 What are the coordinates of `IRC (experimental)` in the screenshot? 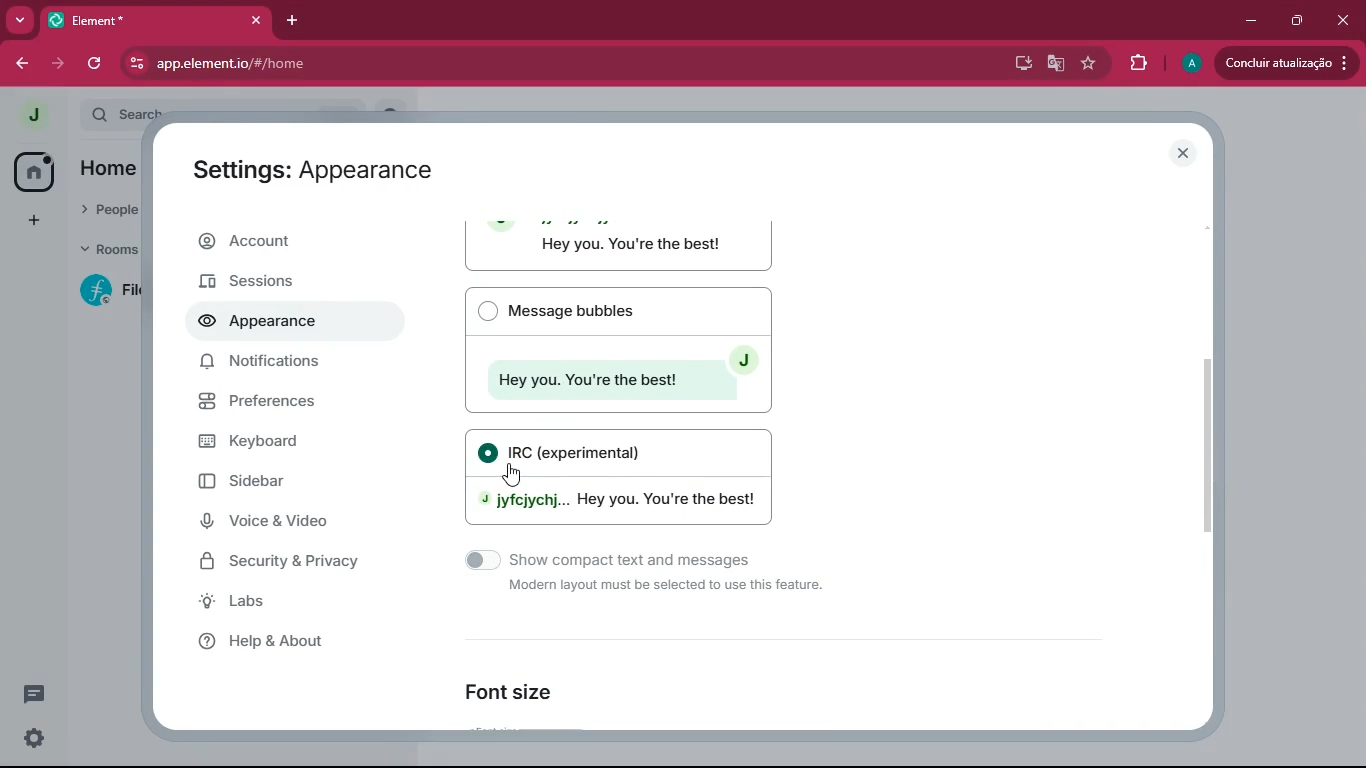 It's located at (577, 451).